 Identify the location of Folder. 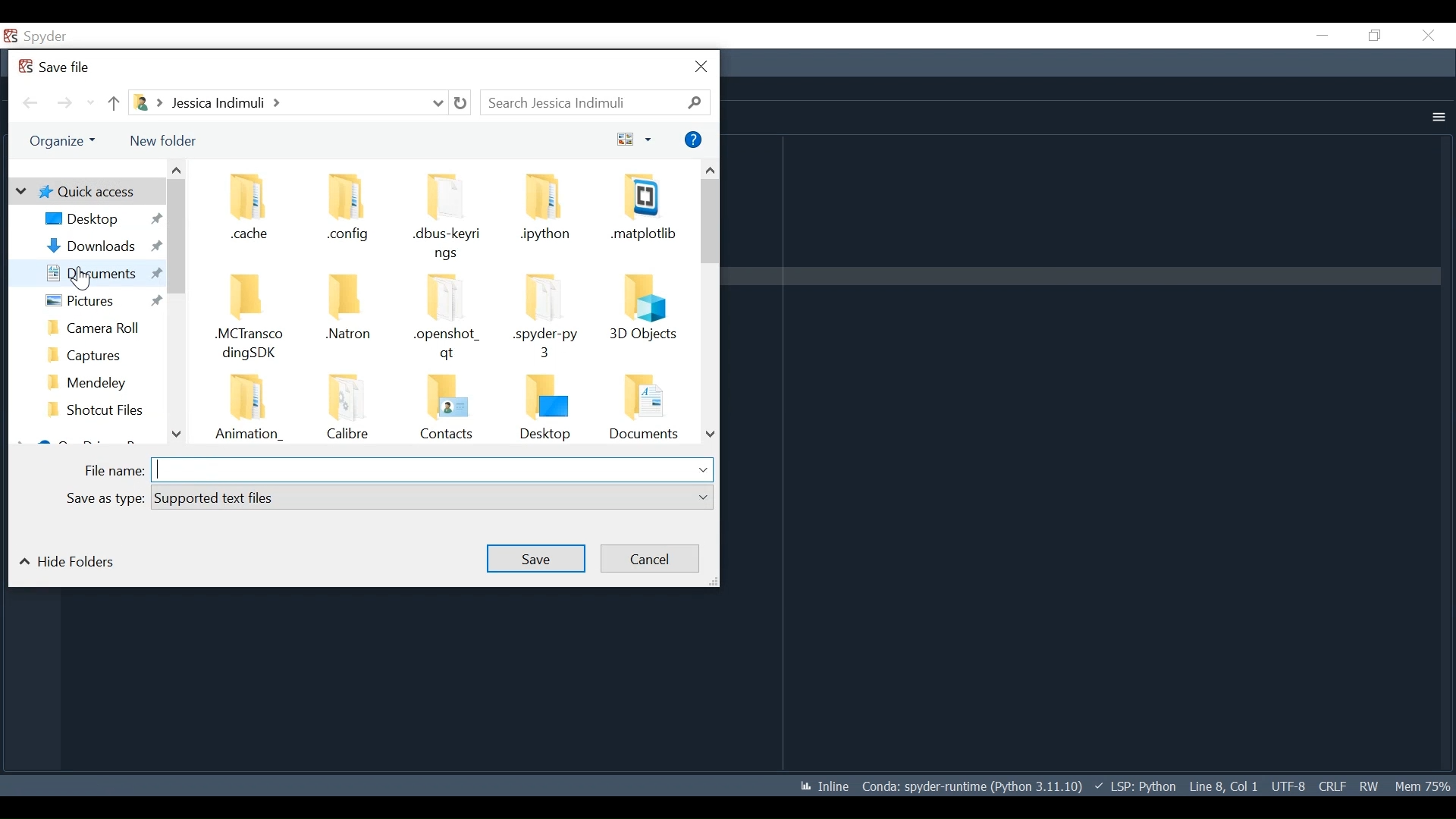
(95, 381).